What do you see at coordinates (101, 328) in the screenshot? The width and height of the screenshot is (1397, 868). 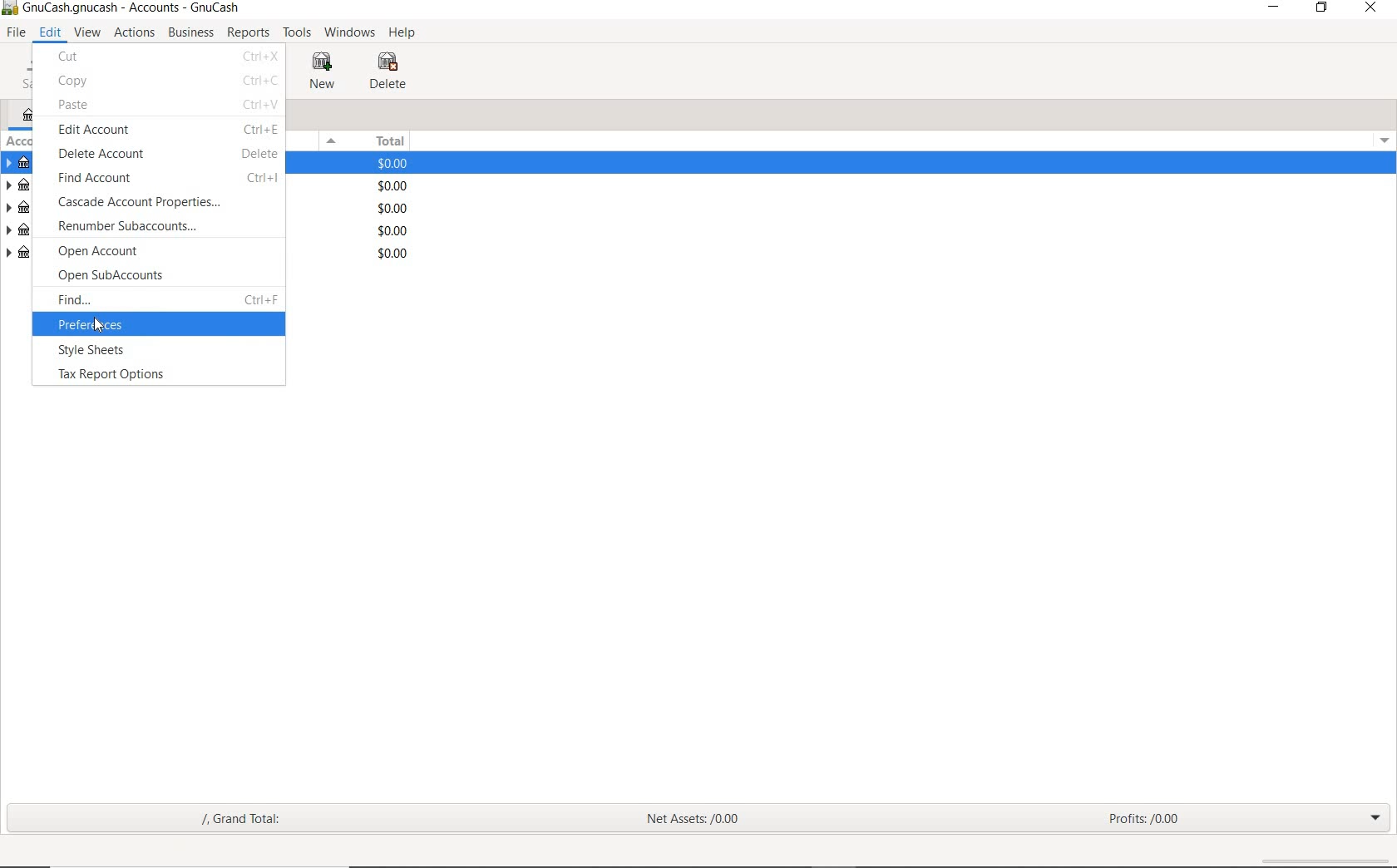 I see `Cursor` at bounding box center [101, 328].